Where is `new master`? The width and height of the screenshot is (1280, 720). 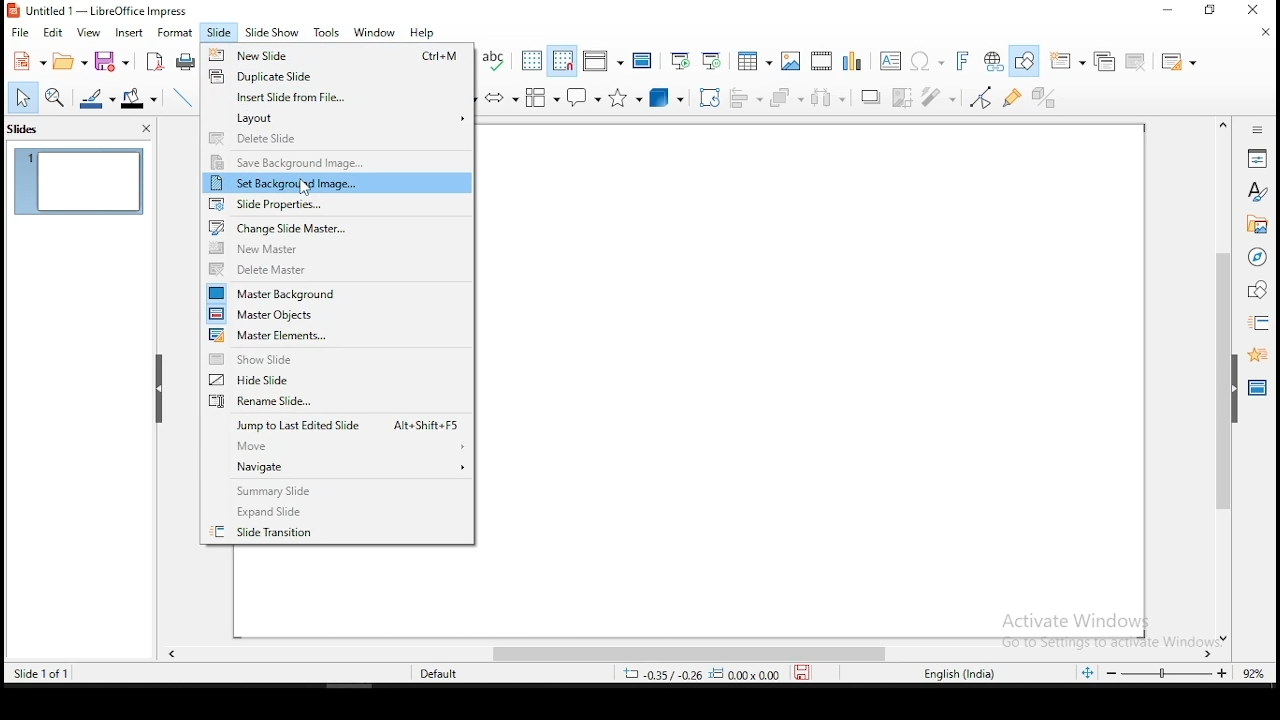 new master is located at coordinates (336, 250).